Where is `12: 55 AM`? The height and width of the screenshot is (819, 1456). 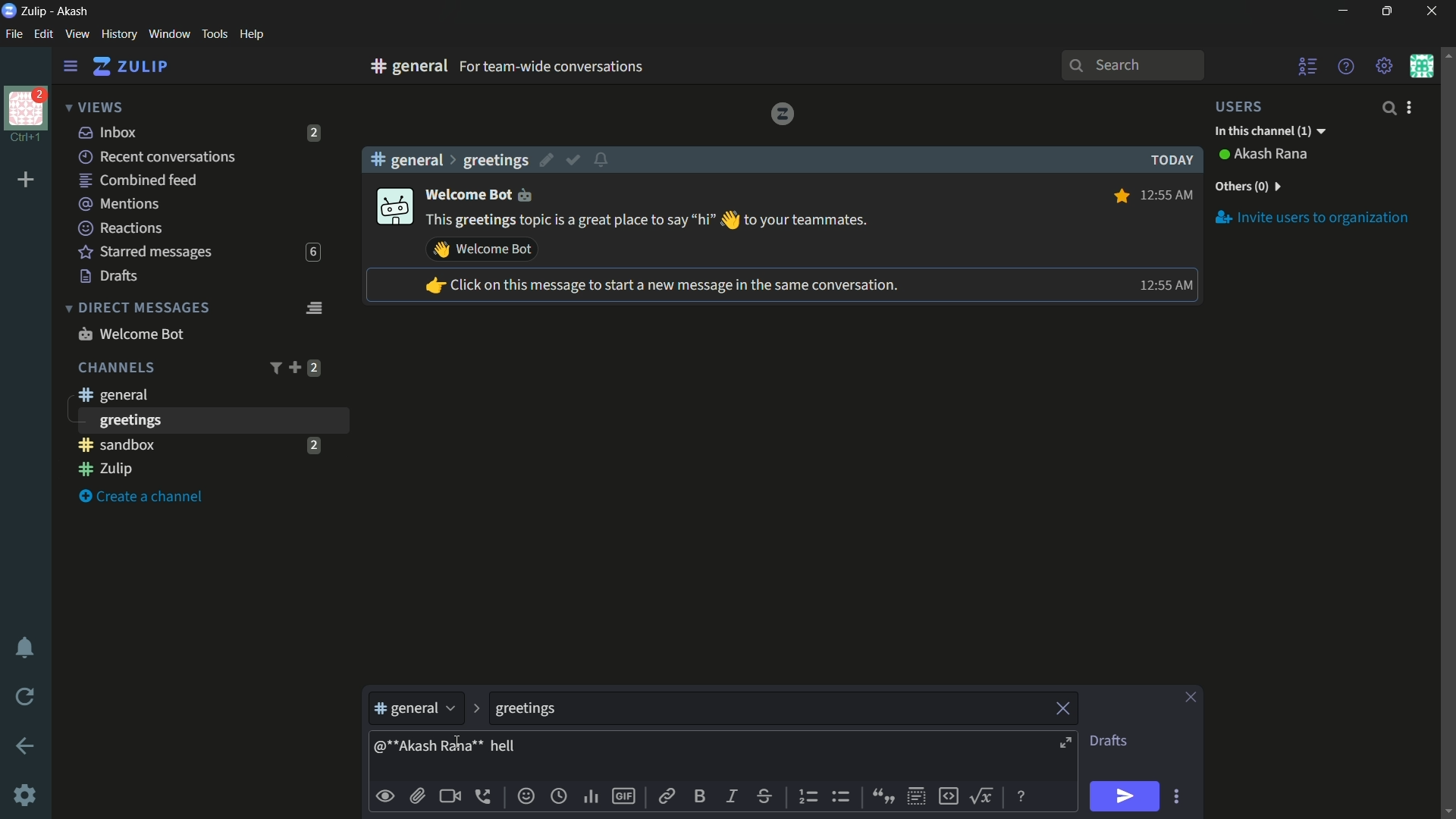 12: 55 AM is located at coordinates (1163, 285).